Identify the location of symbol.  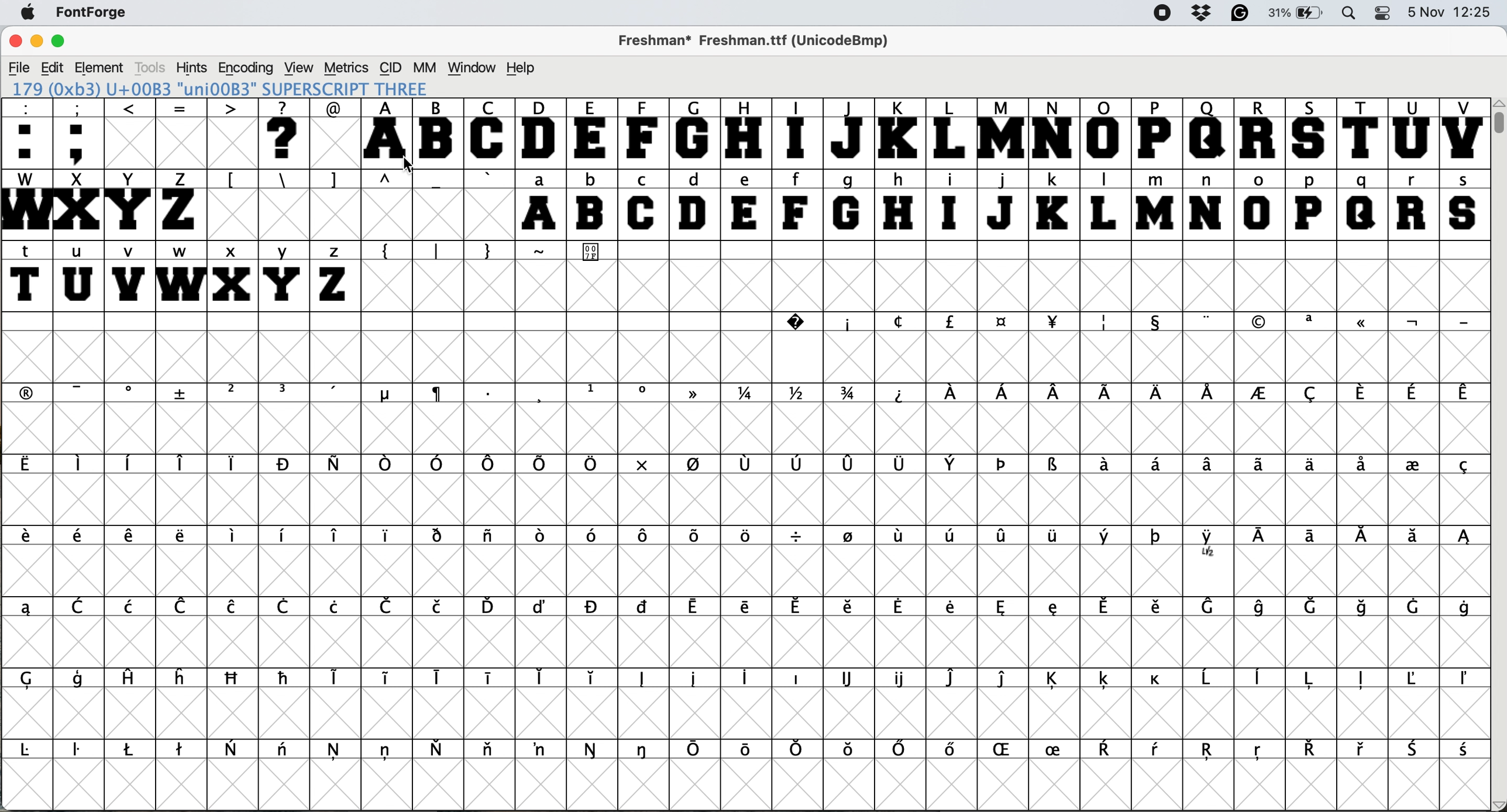
(81, 465).